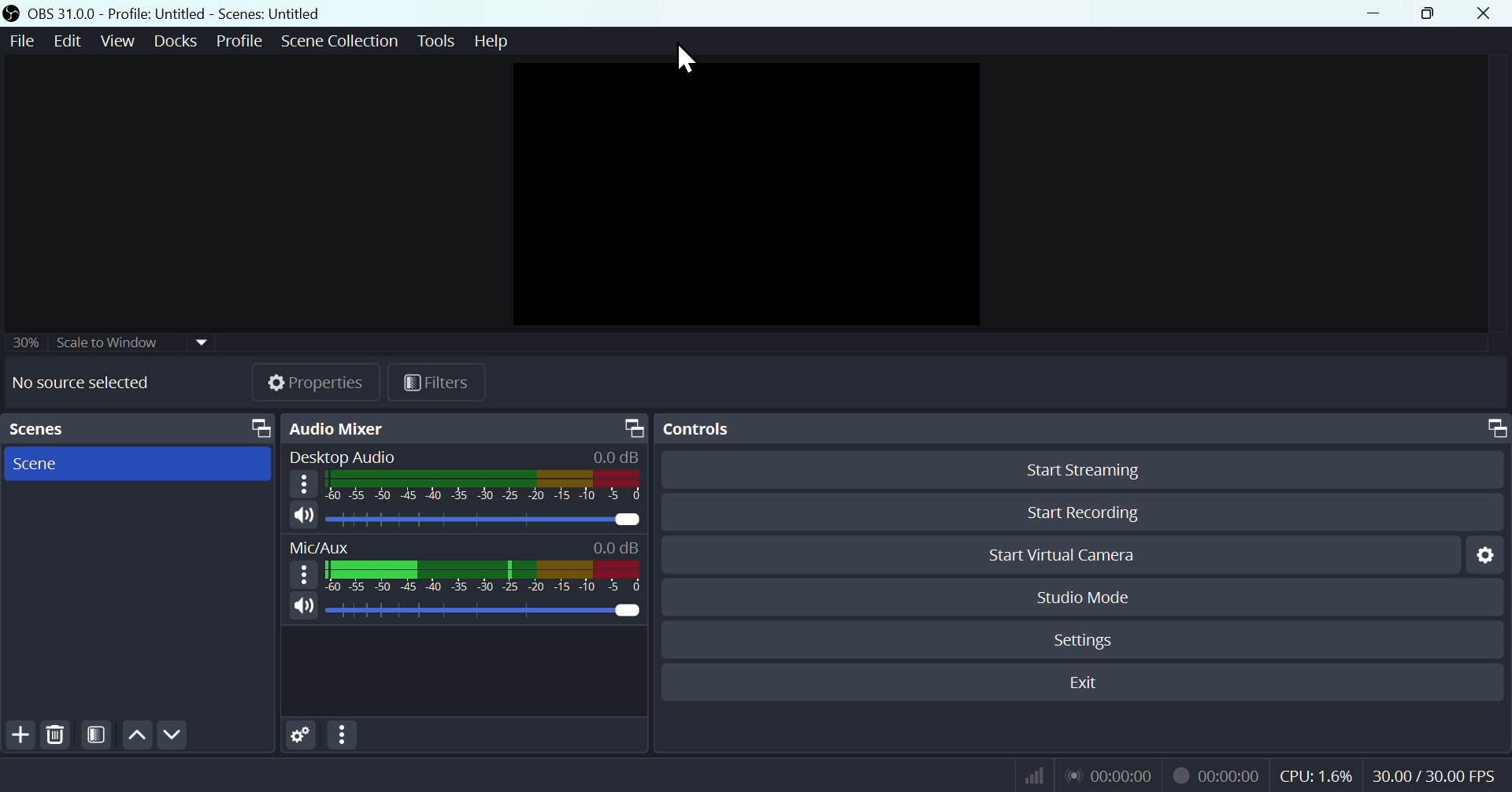  What do you see at coordinates (438, 40) in the screenshot?
I see `Tools` at bounding box center [438, 40].